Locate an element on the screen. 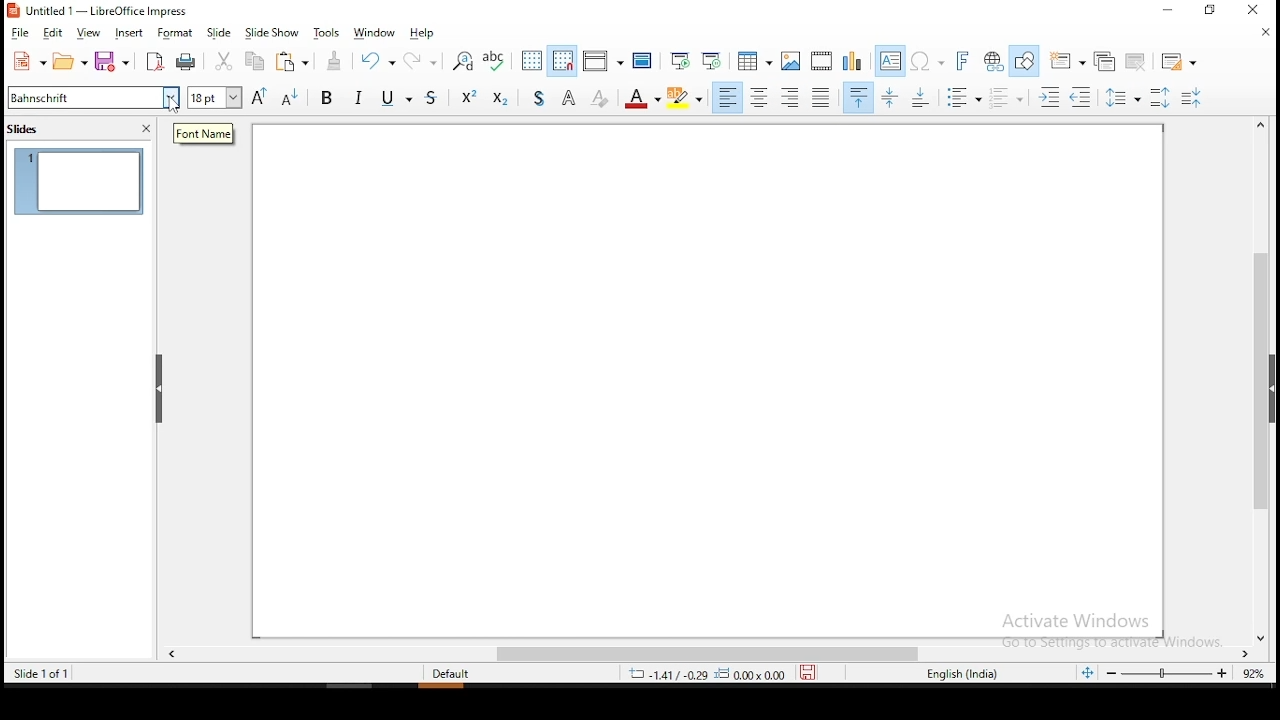  tools is located at coordinates (327, 33).